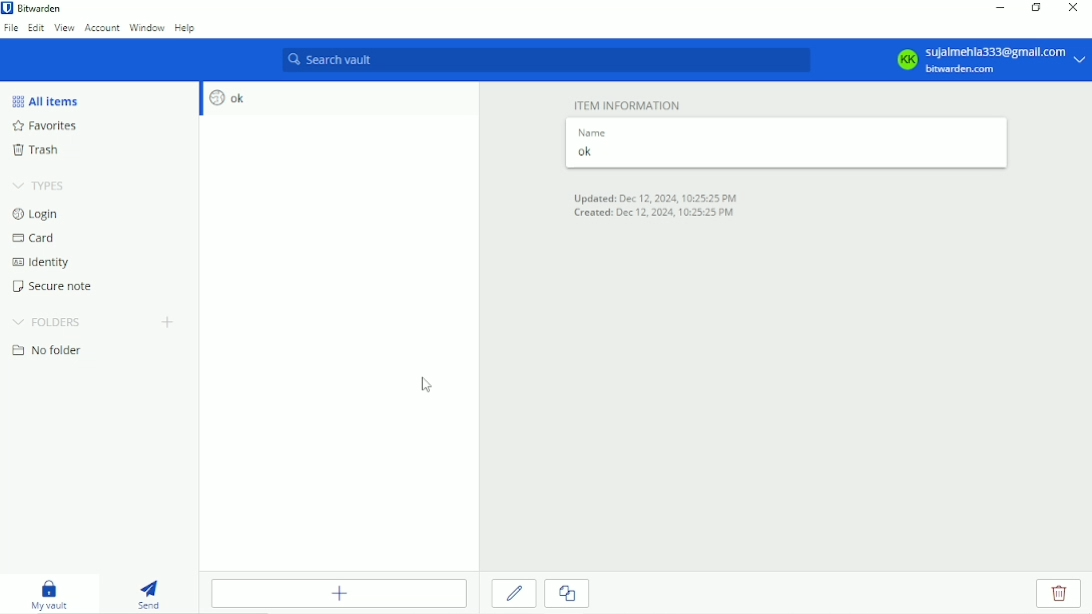 The height and width of the screenshot is (614, 1092). I want to click on Add item, so click(339, 593).